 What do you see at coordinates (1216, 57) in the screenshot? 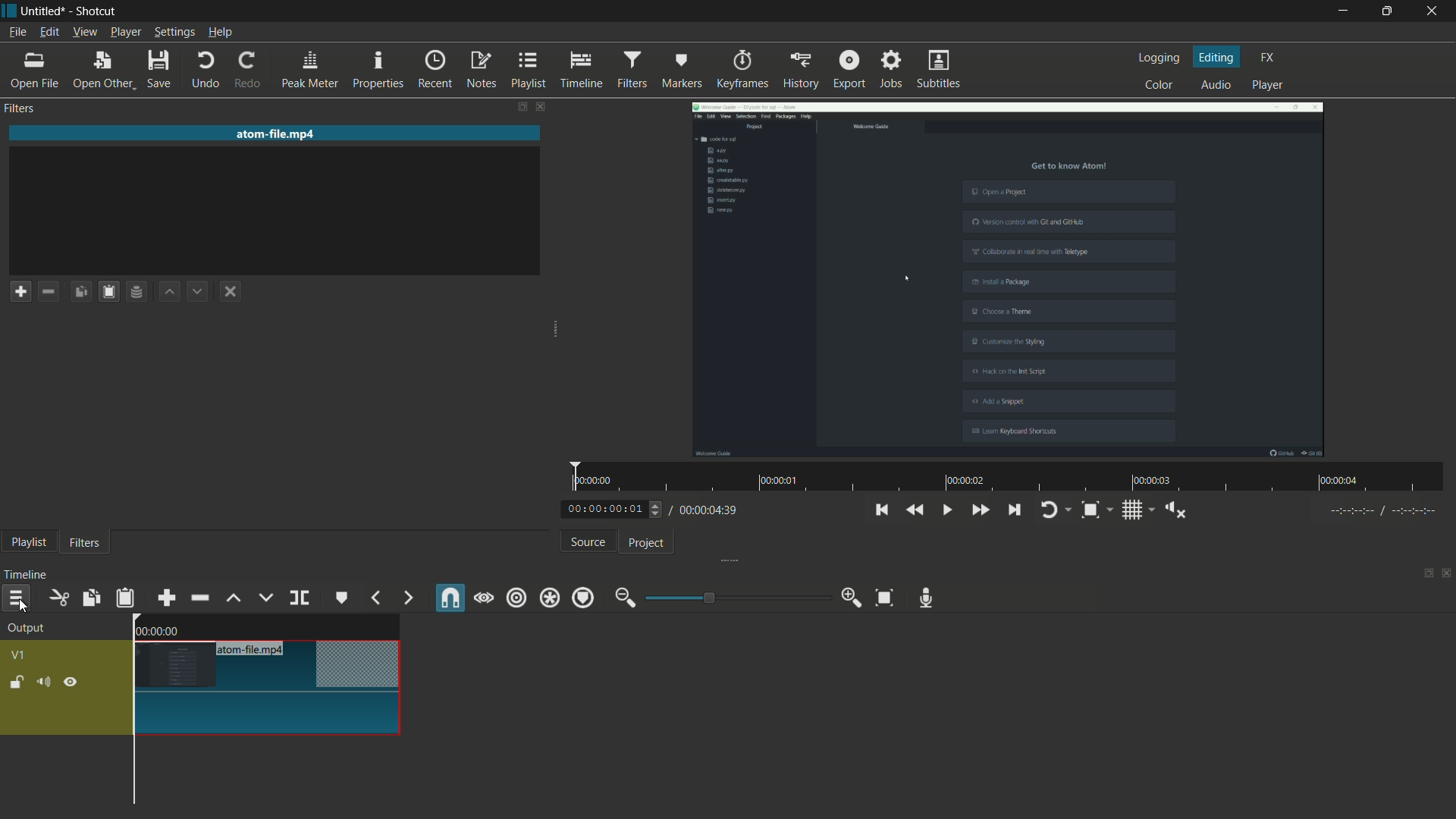
I see `editing` at bounding box center [1216, 57].